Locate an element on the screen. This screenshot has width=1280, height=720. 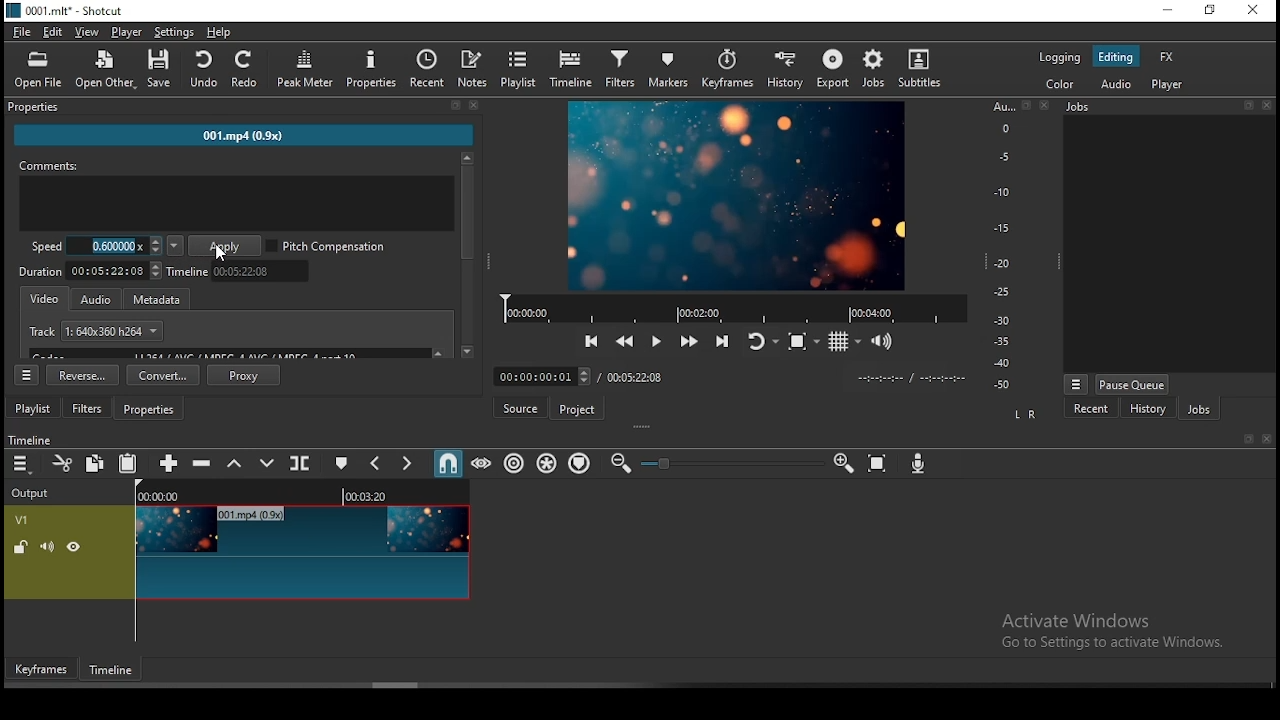
apply is located at coordinates (224, 246).